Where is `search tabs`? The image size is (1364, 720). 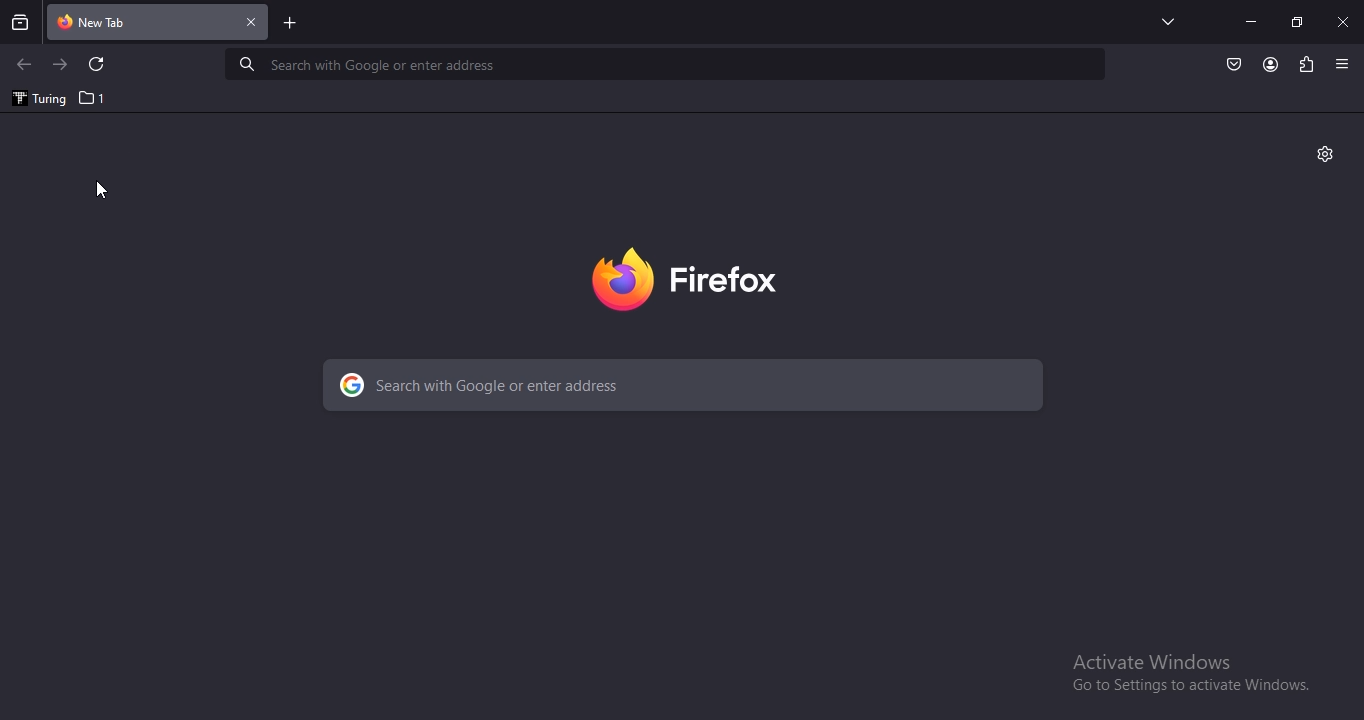 search tabs is located at coordinates (1170, 21).